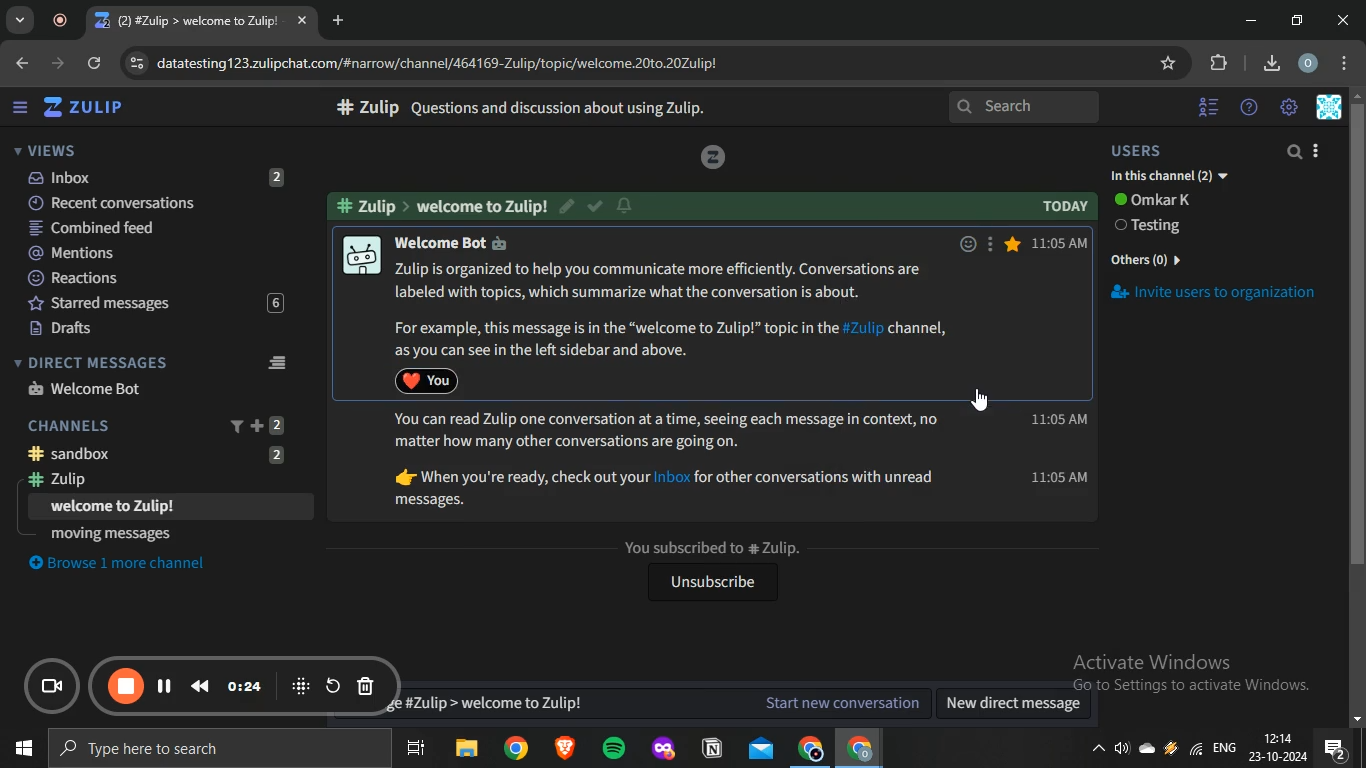  Describe the element at coordinates (87, 388) in the screenshot. I see `welcome bot` at that location.